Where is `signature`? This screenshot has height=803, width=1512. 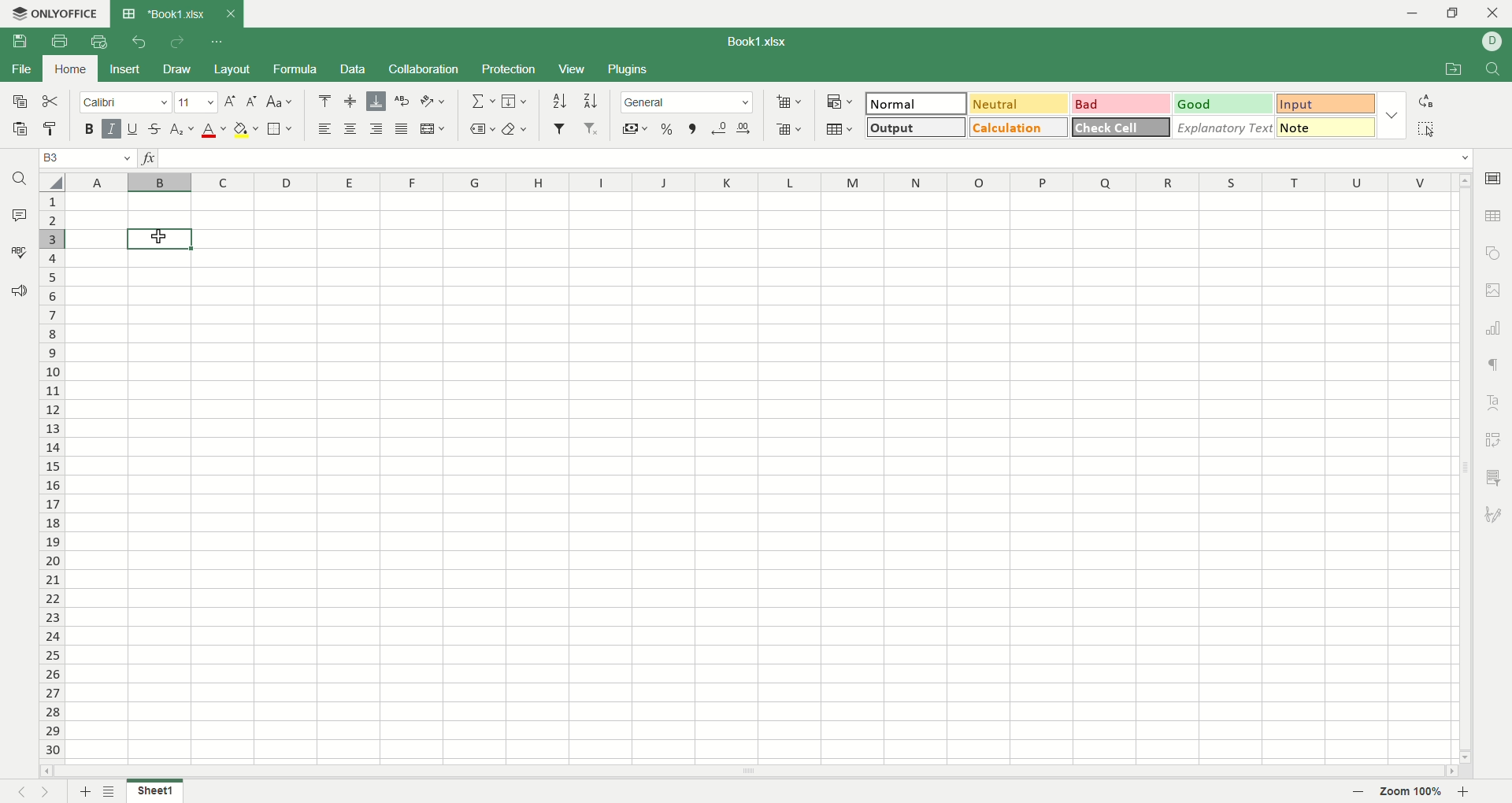
signature is located at coordinates (1496, 512).